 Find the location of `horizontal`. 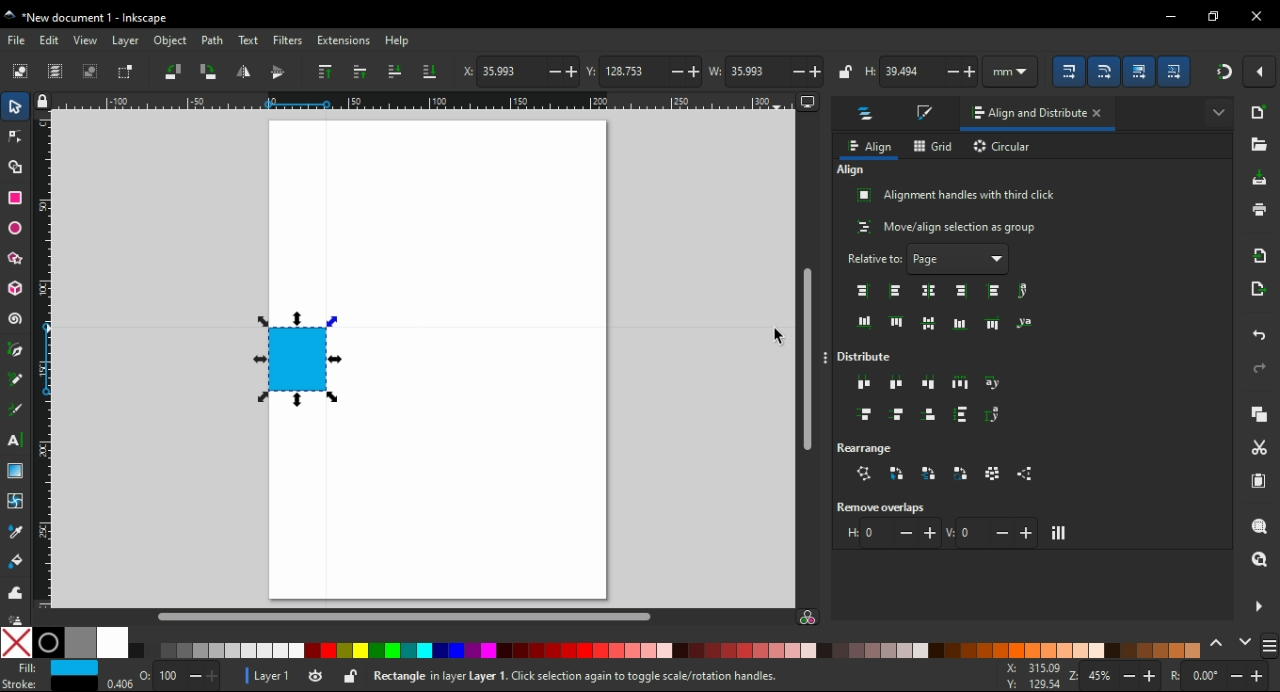

horizontal is located at coordinates (889, 534).